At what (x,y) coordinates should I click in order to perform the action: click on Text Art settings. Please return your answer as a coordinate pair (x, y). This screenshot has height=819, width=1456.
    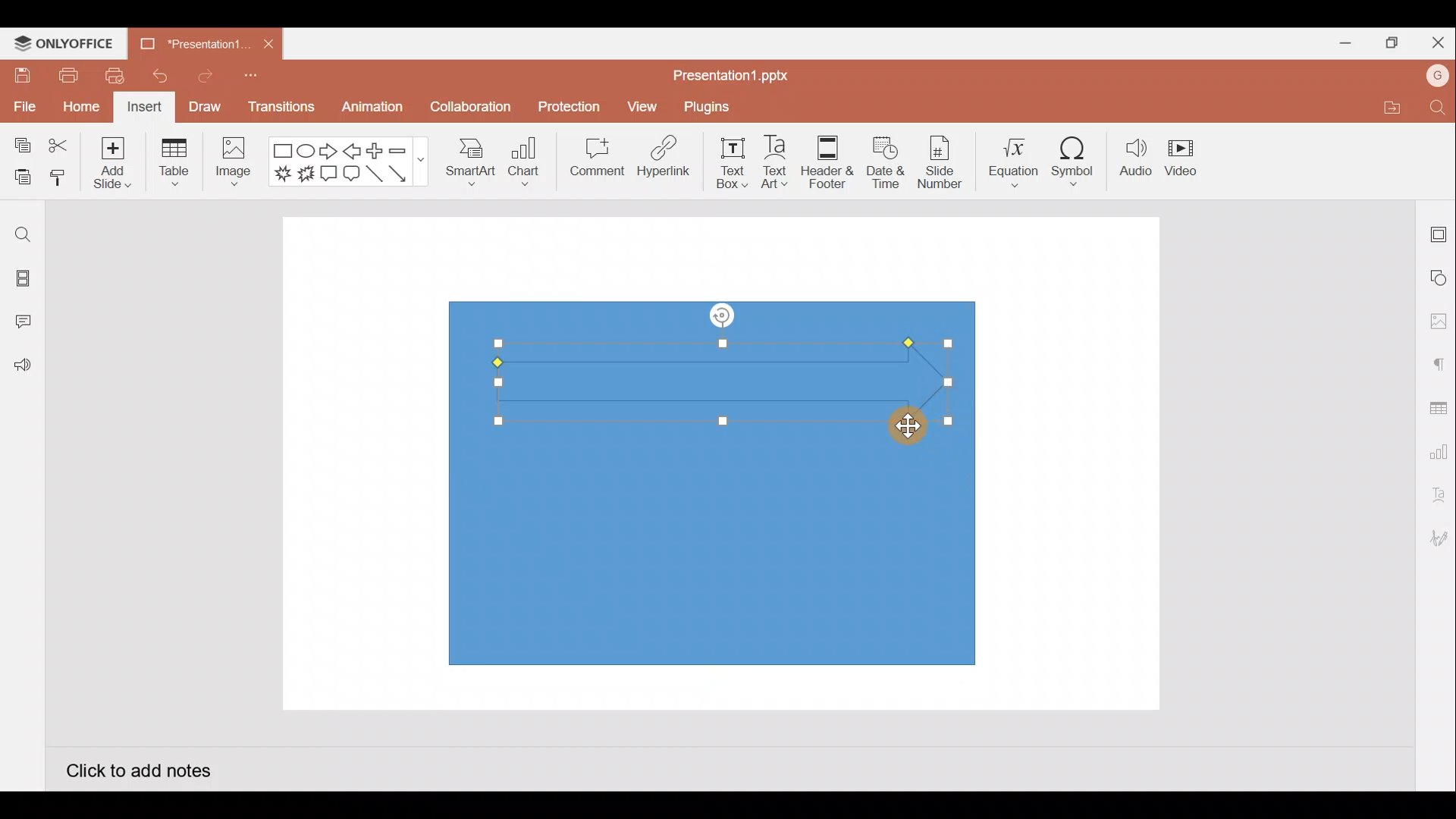
    Looking at the image, I should click on (1437, 495).